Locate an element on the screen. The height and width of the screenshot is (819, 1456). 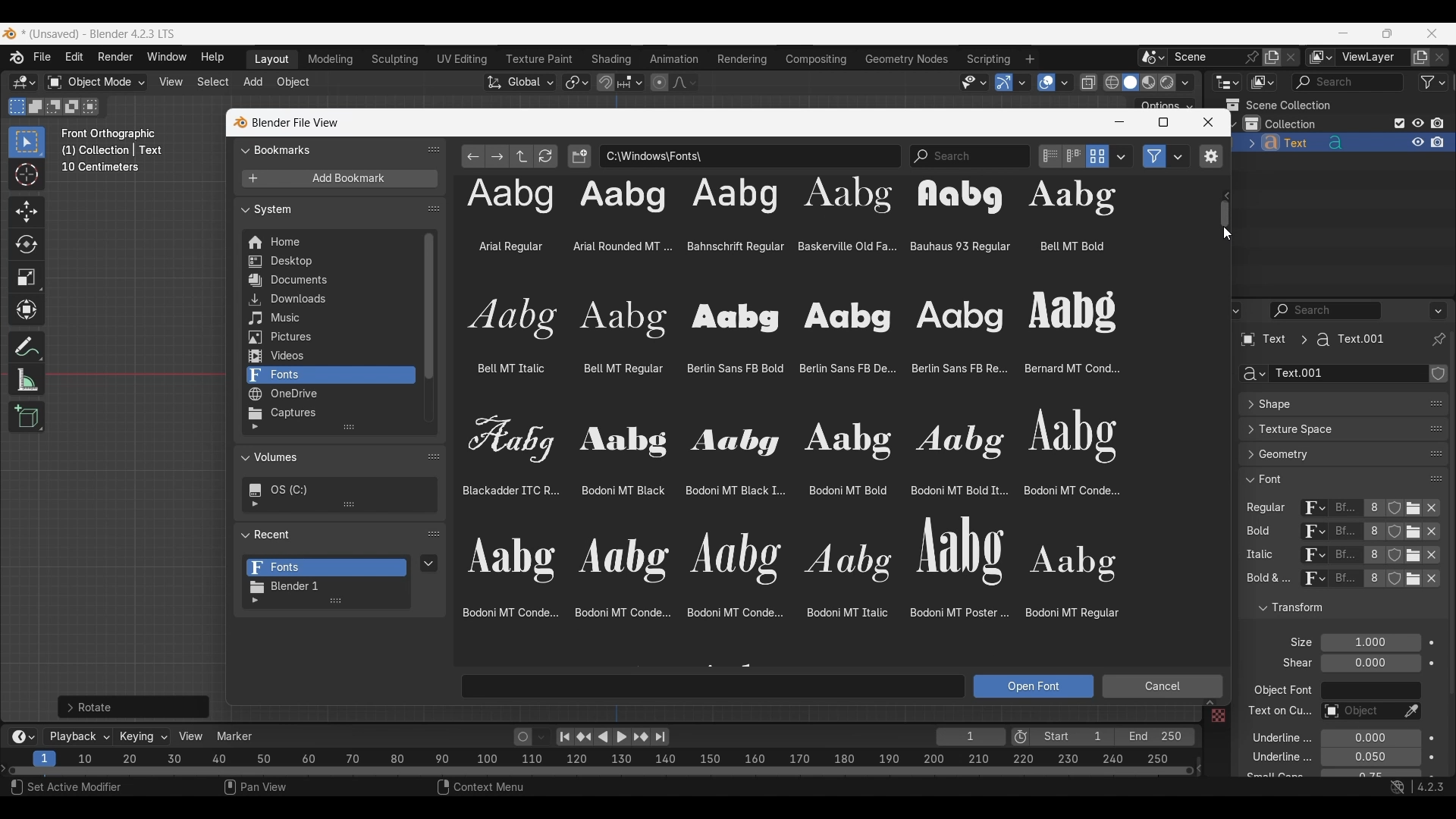
Click to expand Light Probes is located at coordinates (1291, 642).